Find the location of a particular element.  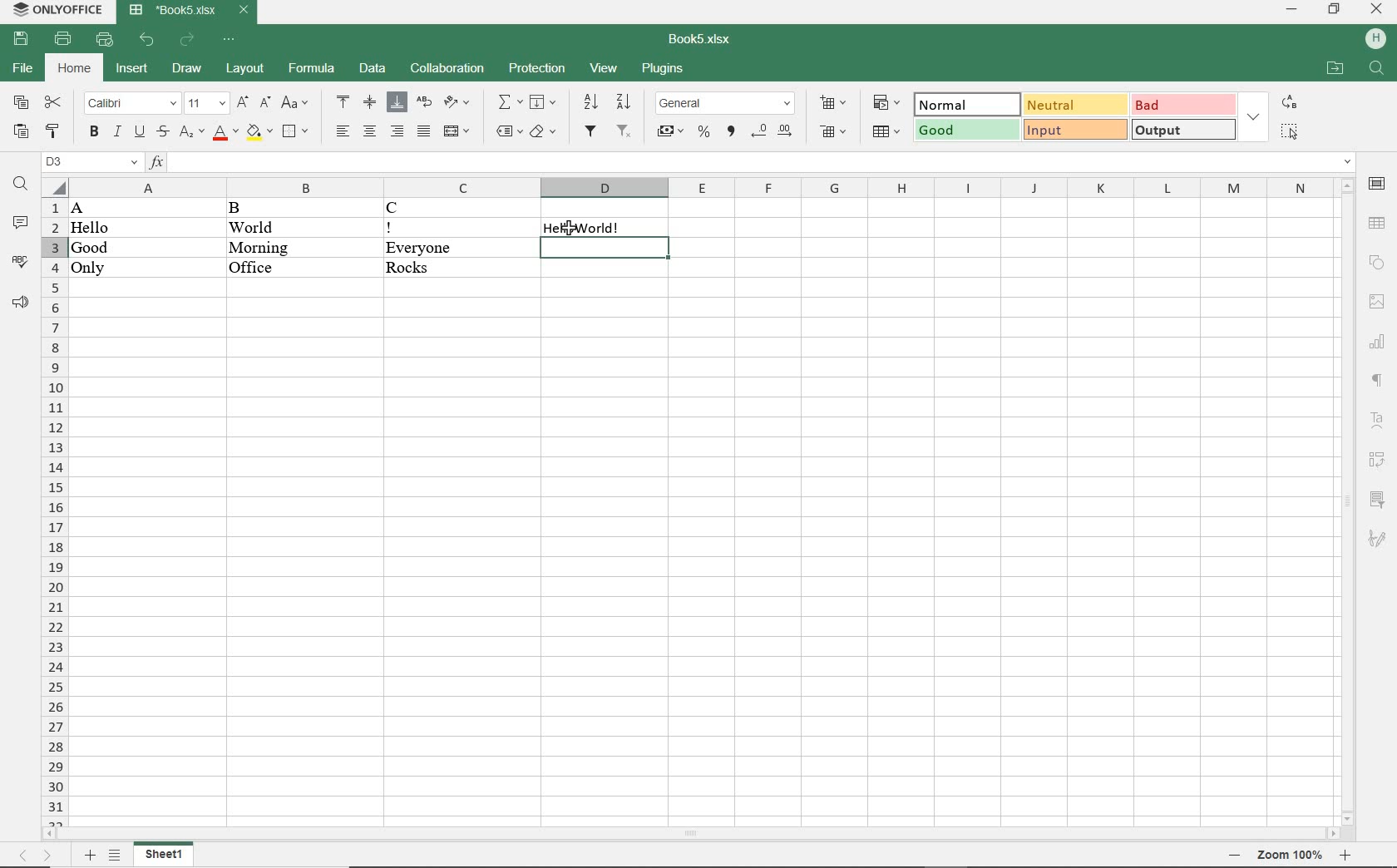

SCROLLBAR is located at coordinates (690, 831).